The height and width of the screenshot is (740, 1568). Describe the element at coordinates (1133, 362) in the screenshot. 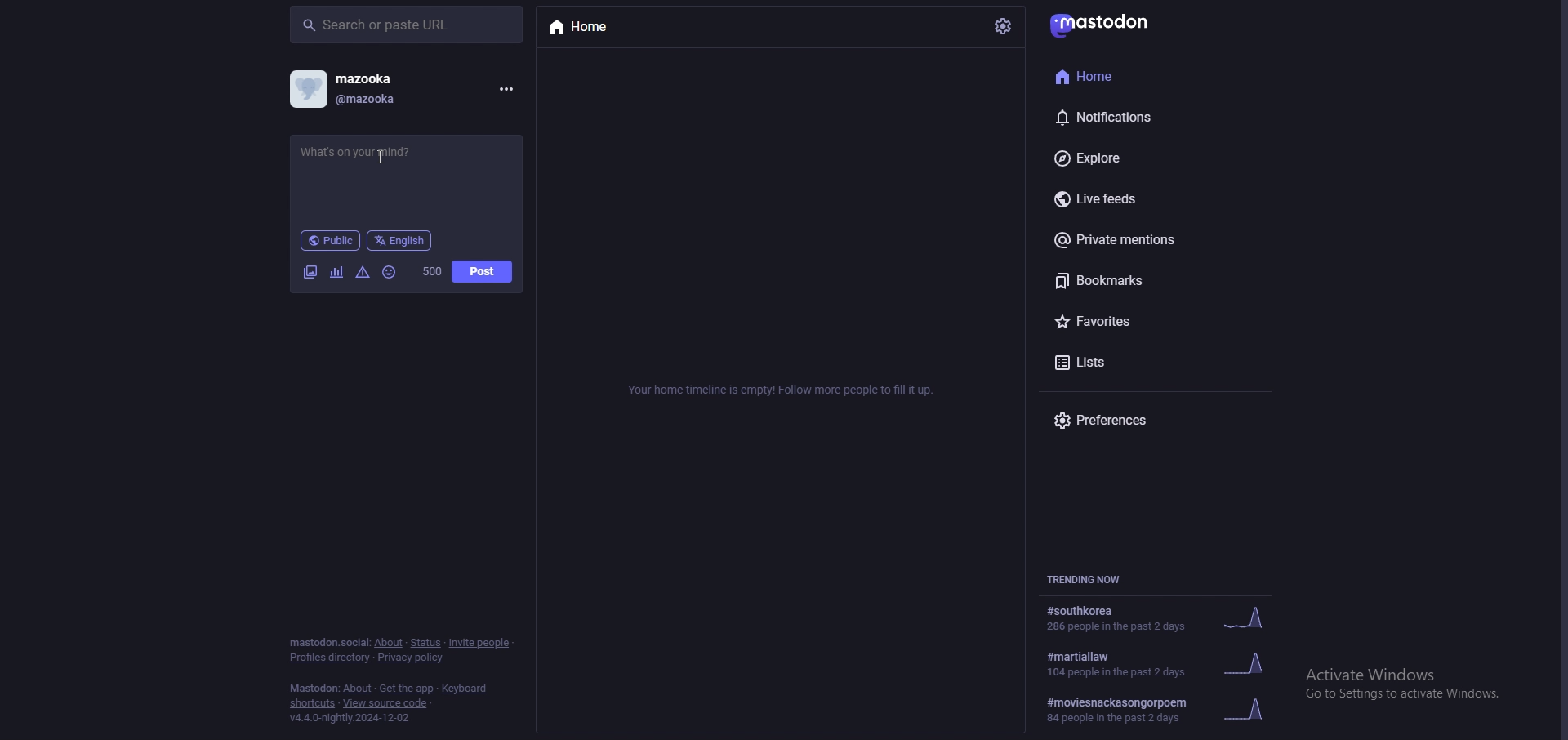

I see `lists` at that location.